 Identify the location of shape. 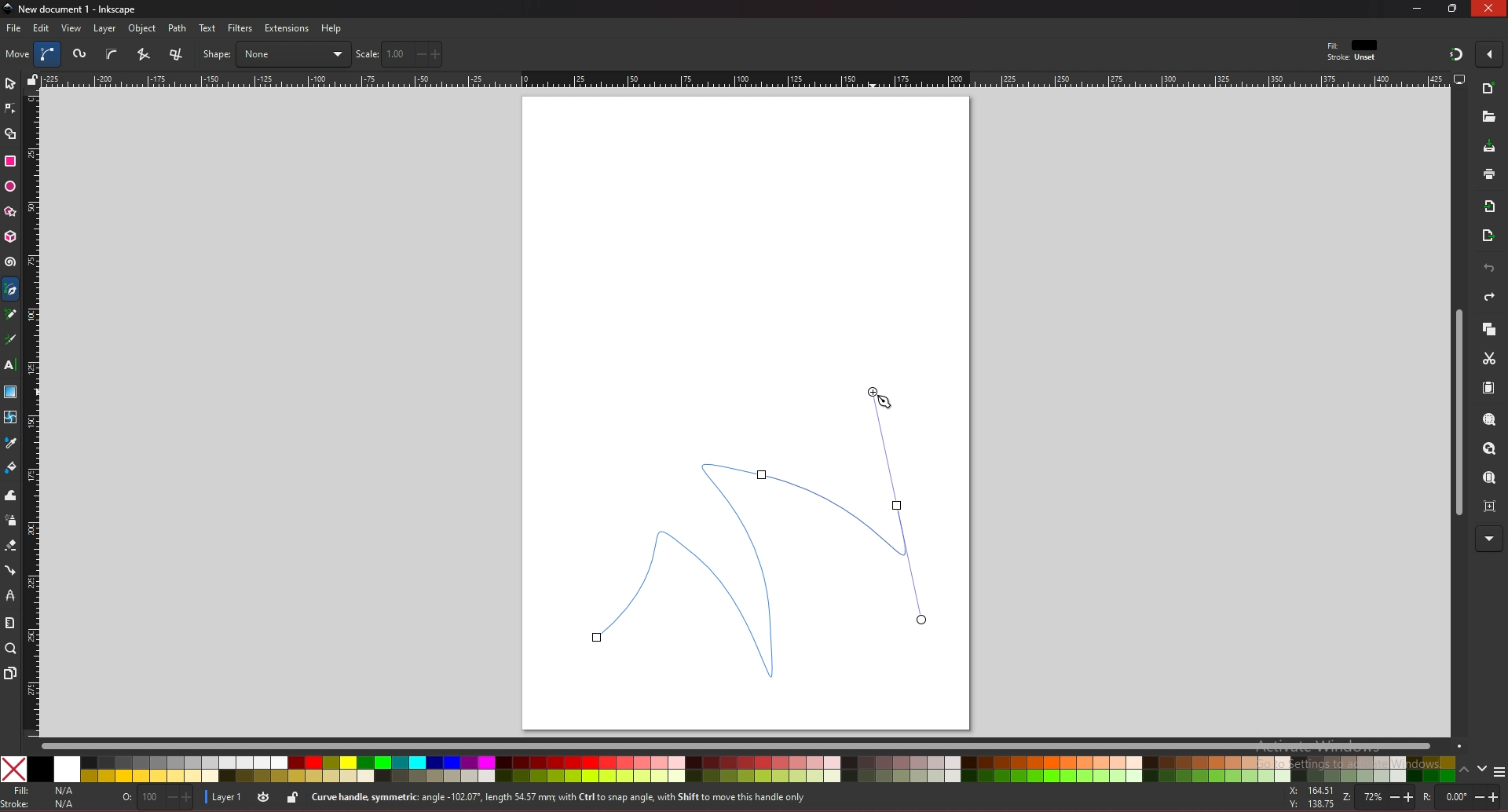
(276, 54).